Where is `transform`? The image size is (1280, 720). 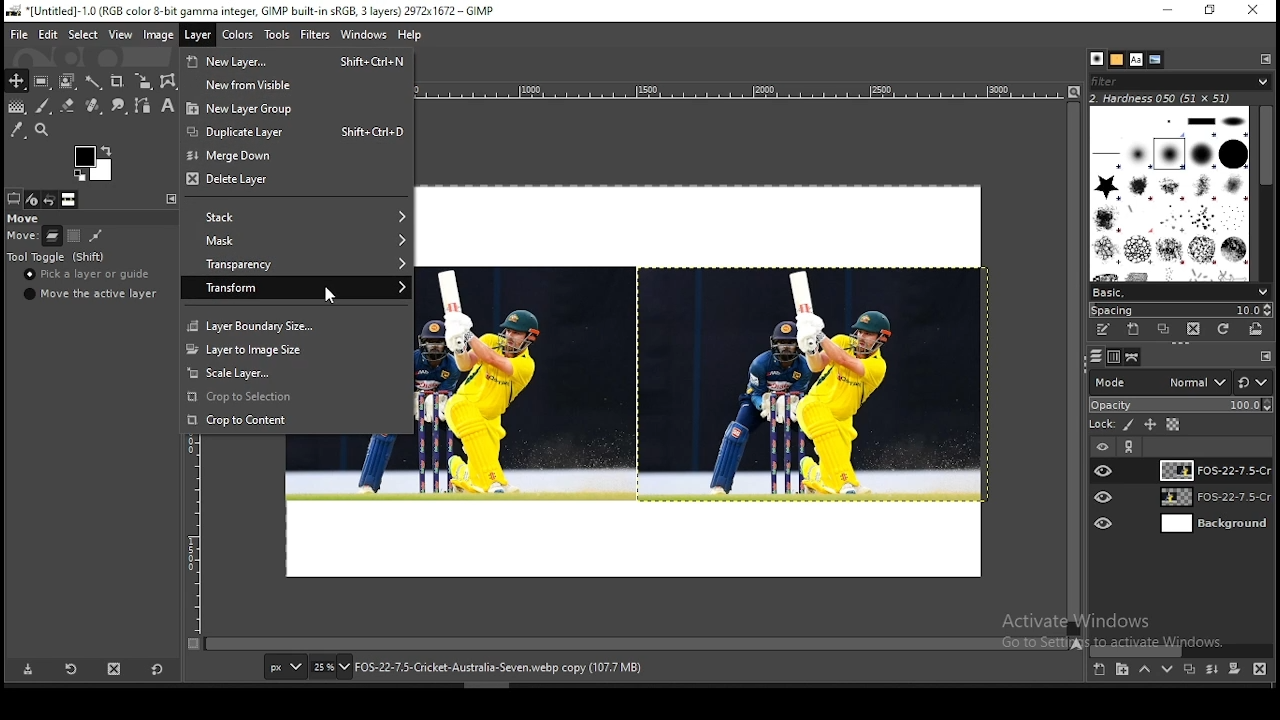
transform is located at coordinates (296, 287).